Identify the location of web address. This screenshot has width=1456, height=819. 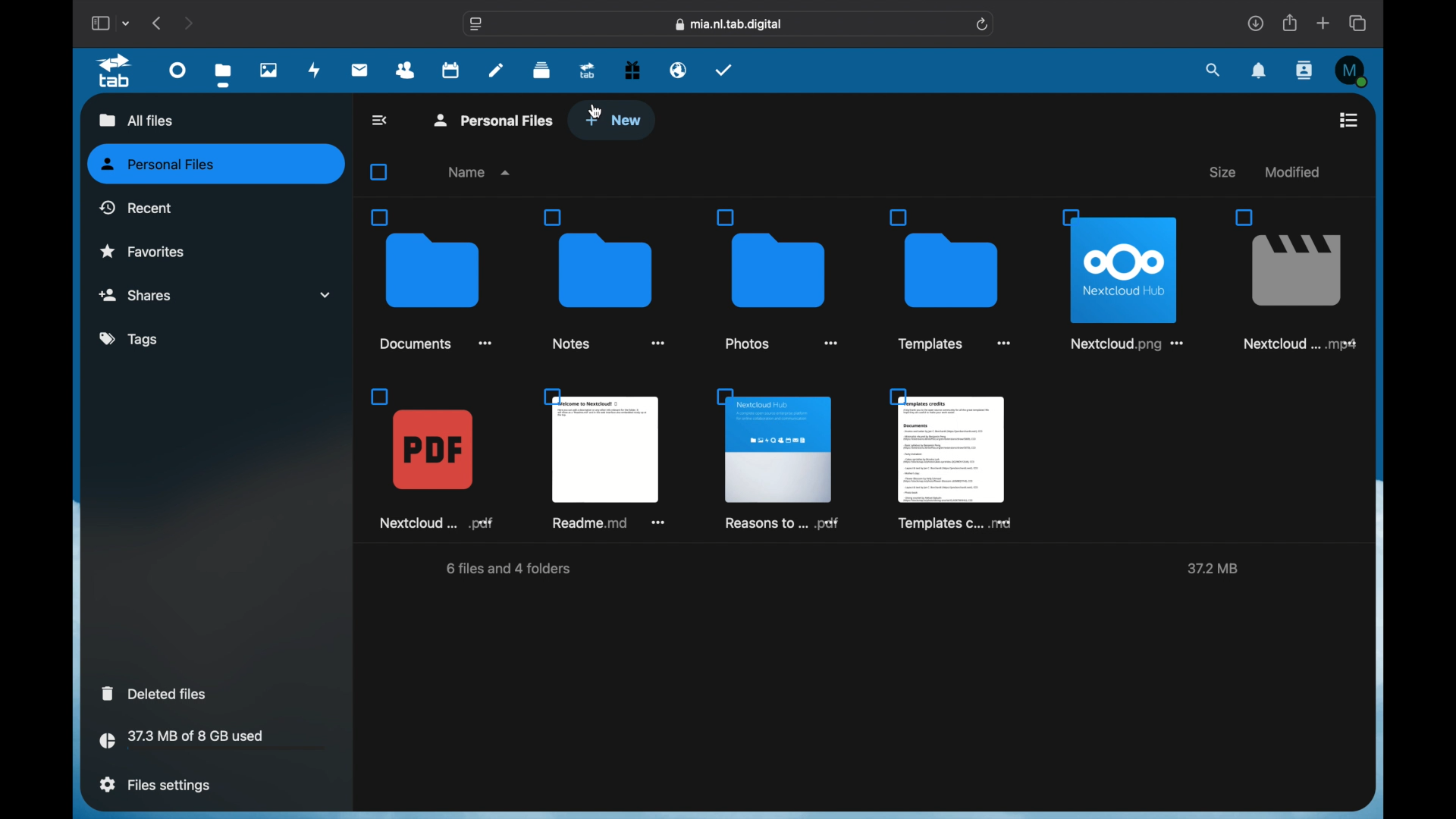
(730, 25).